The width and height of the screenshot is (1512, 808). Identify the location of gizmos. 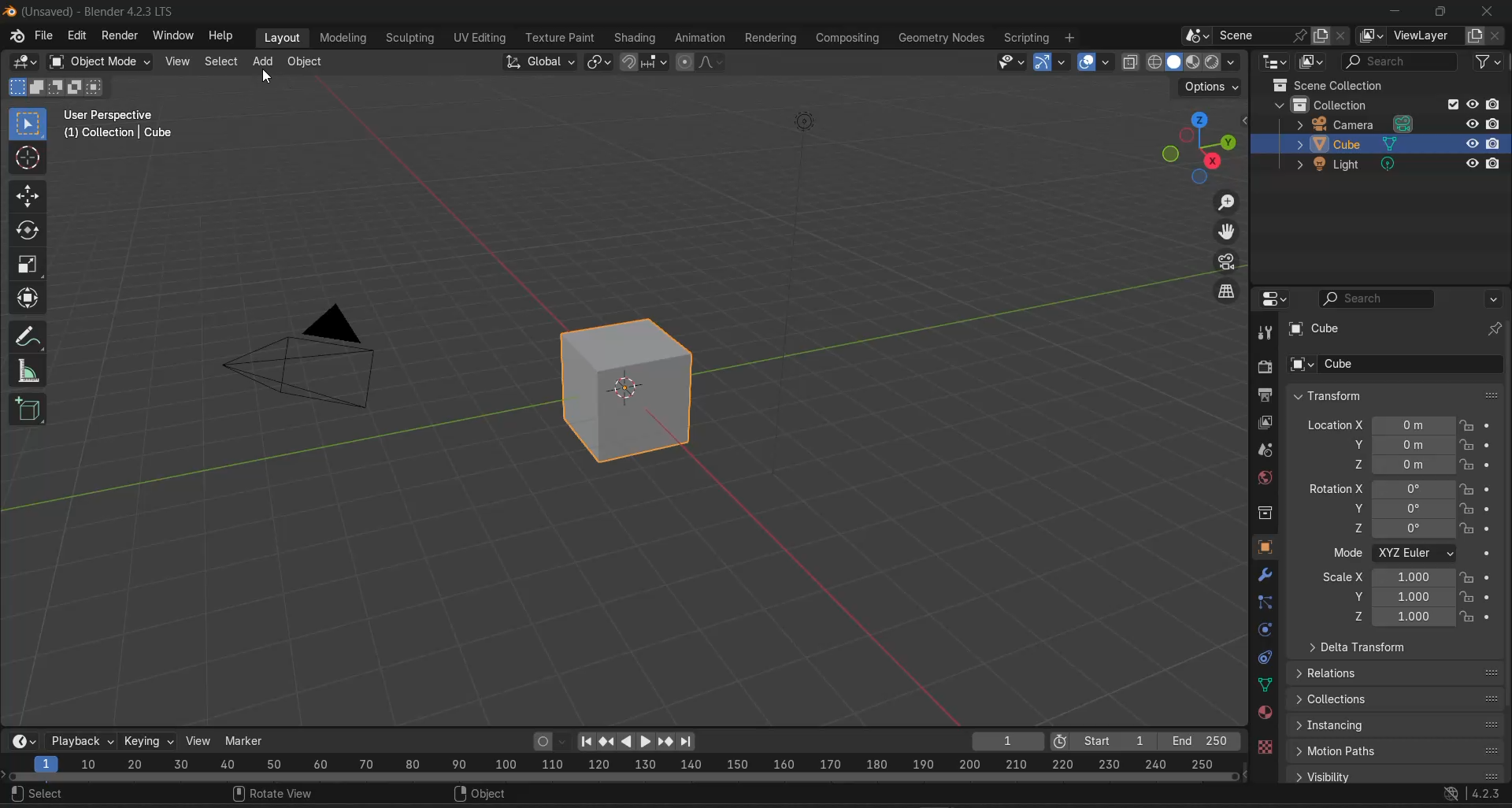
(1062, 62).